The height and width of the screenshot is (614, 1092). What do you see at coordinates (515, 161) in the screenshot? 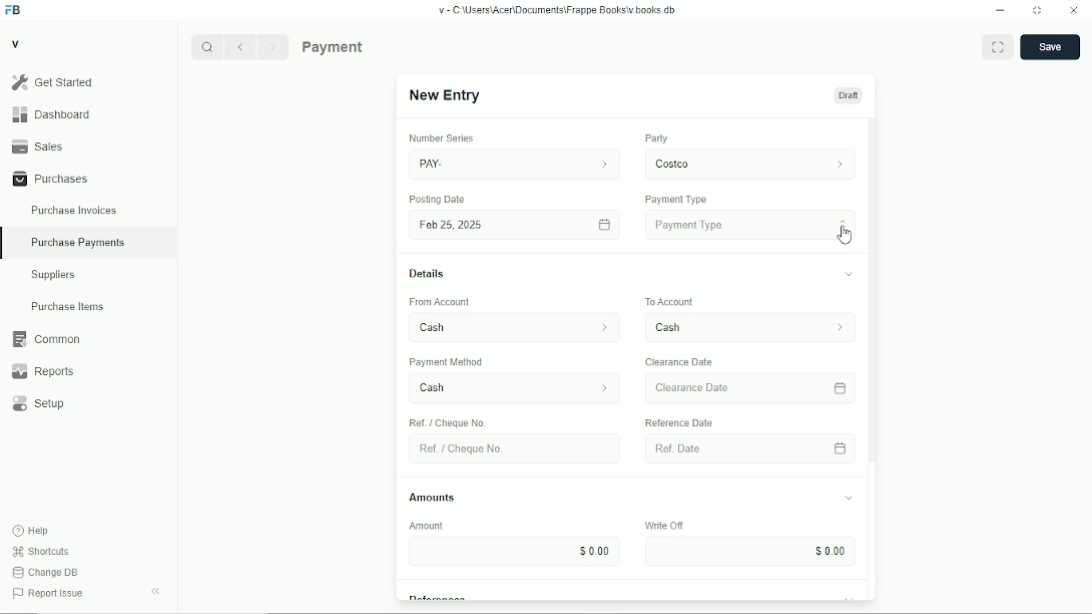
I see `PAY.` at bounding box center [515, 161].